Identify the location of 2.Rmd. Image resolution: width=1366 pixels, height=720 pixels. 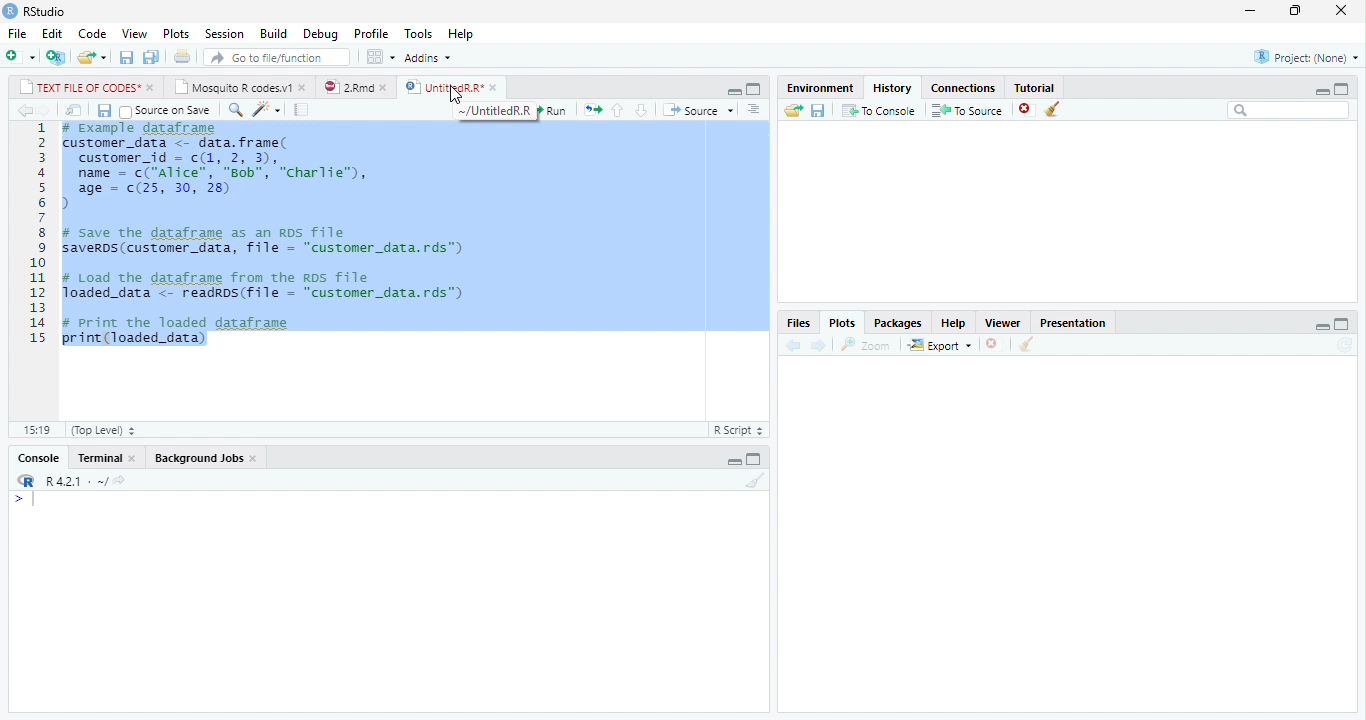
(347, 87).